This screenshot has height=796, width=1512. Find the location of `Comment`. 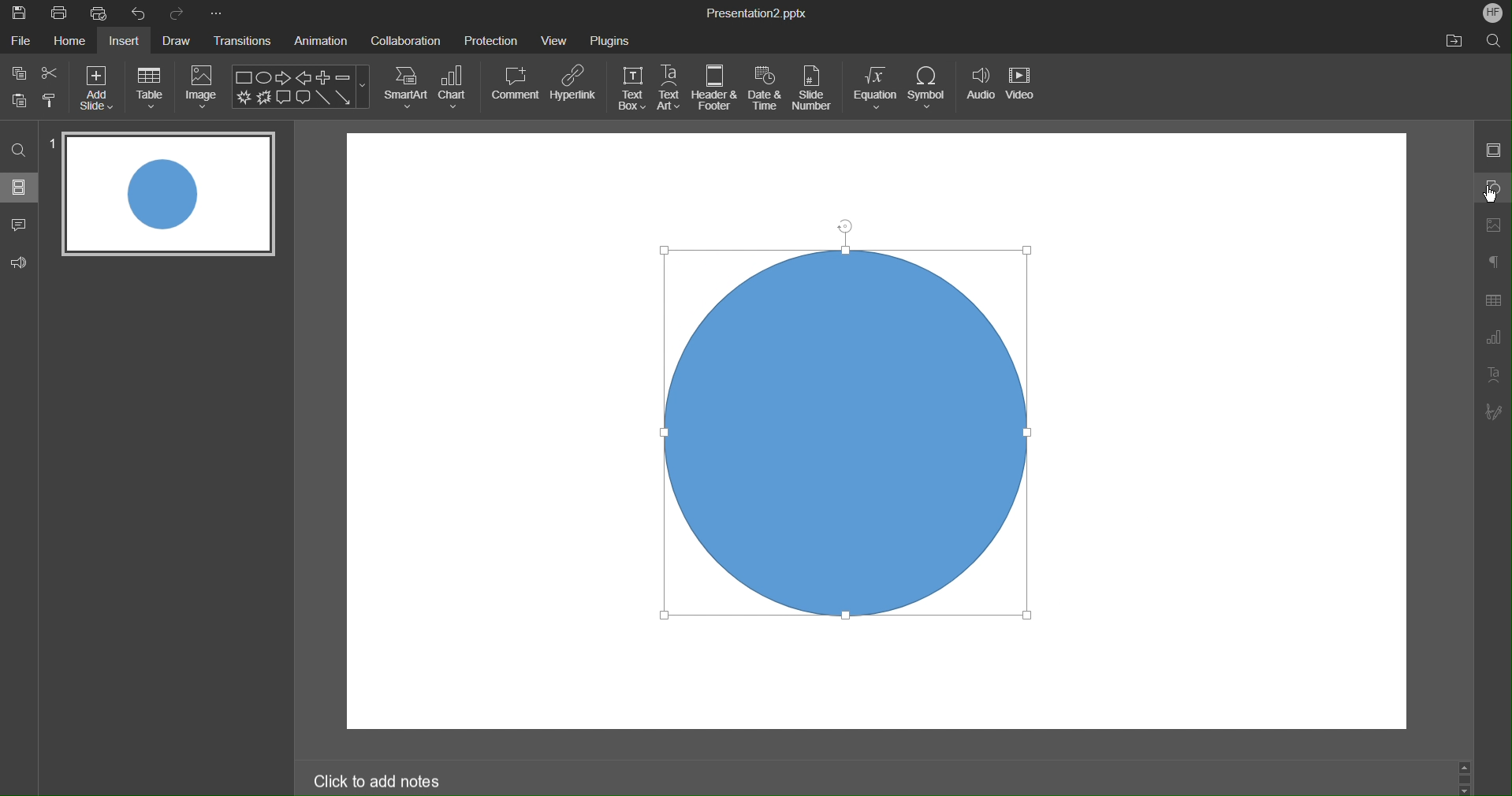

Comment is located at coordinates (516, 83).